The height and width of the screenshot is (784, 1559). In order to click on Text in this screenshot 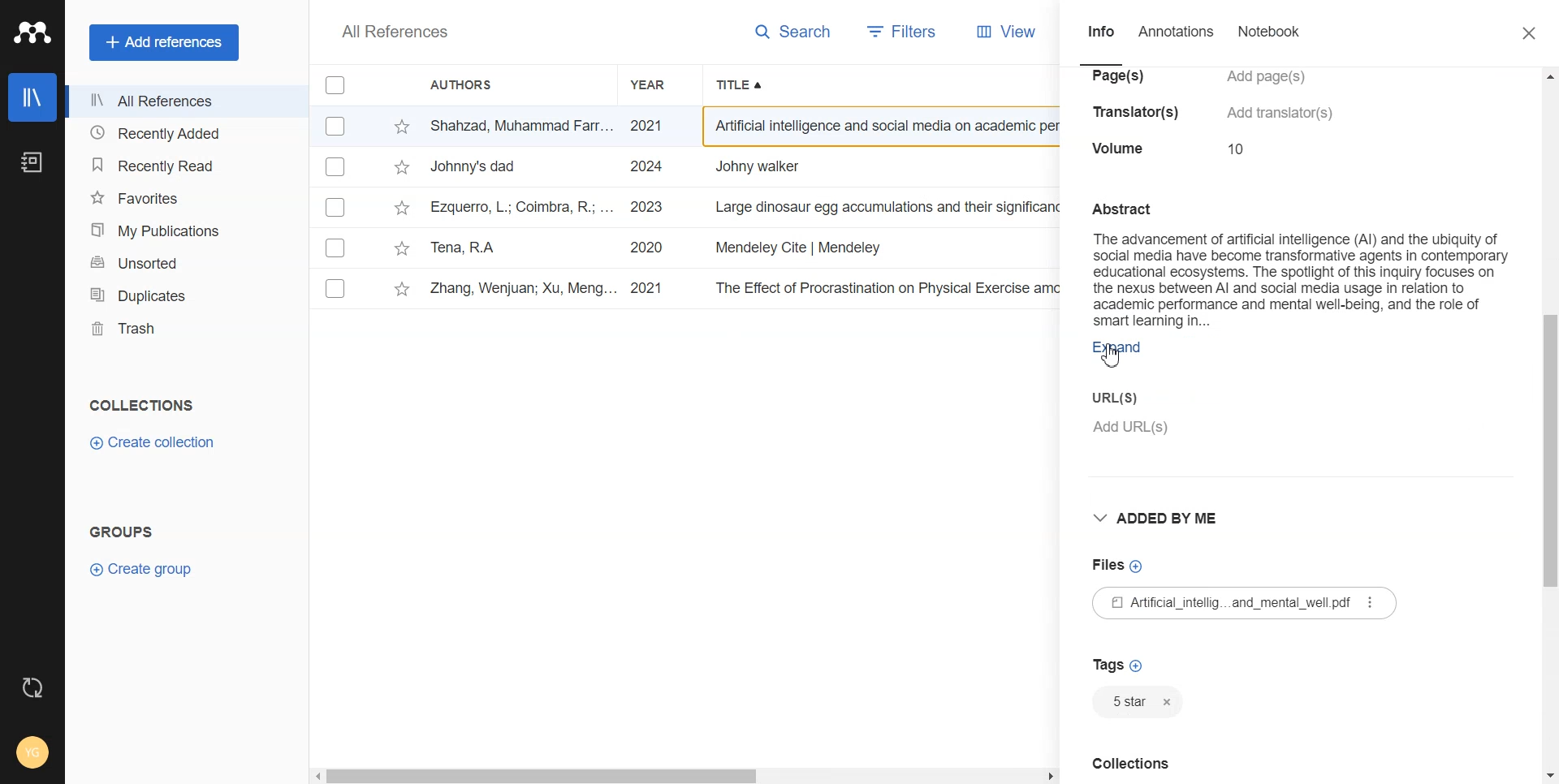, I will do `click(1135, 765)`.